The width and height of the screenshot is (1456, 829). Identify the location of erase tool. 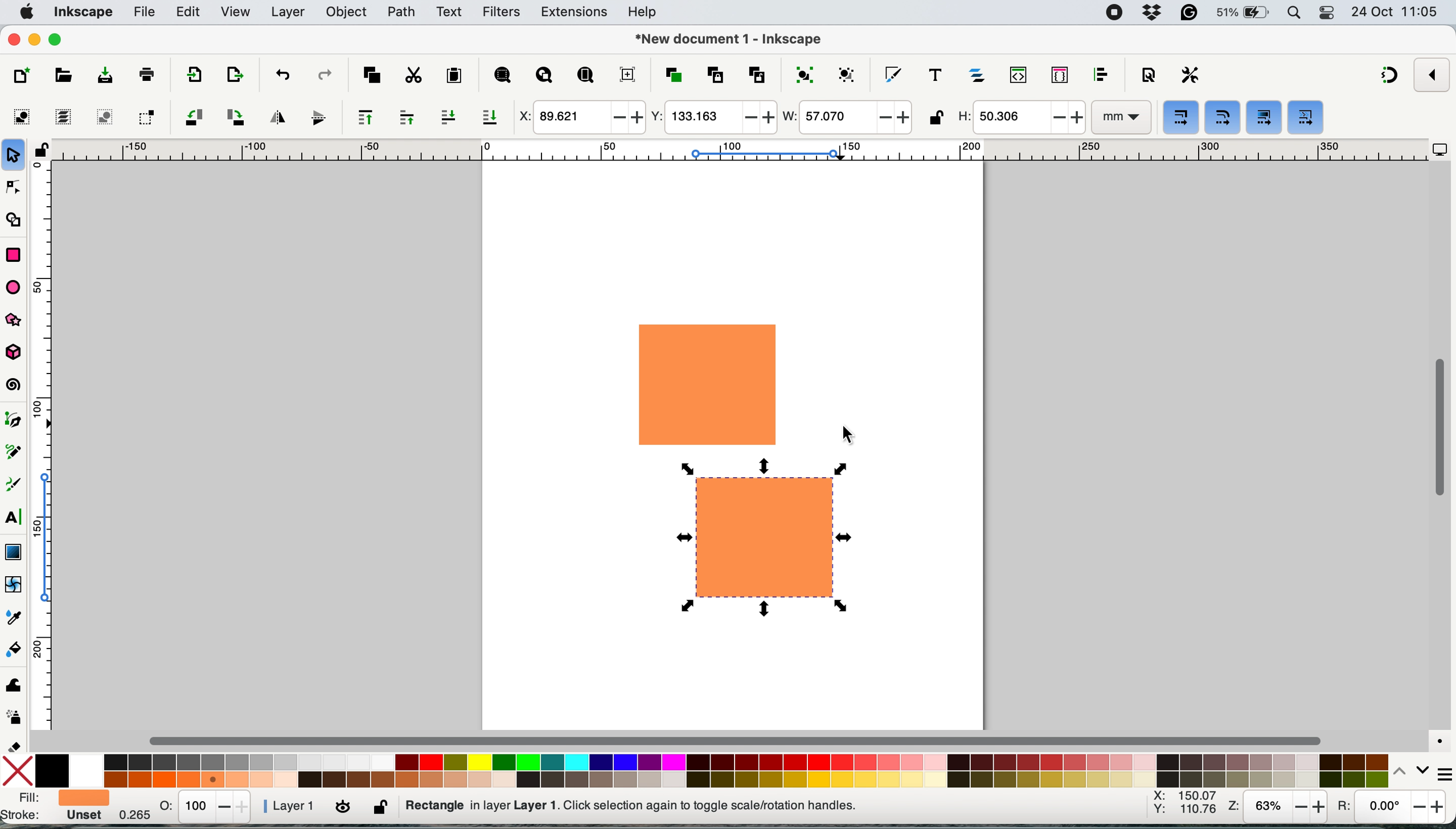
(16, 746).